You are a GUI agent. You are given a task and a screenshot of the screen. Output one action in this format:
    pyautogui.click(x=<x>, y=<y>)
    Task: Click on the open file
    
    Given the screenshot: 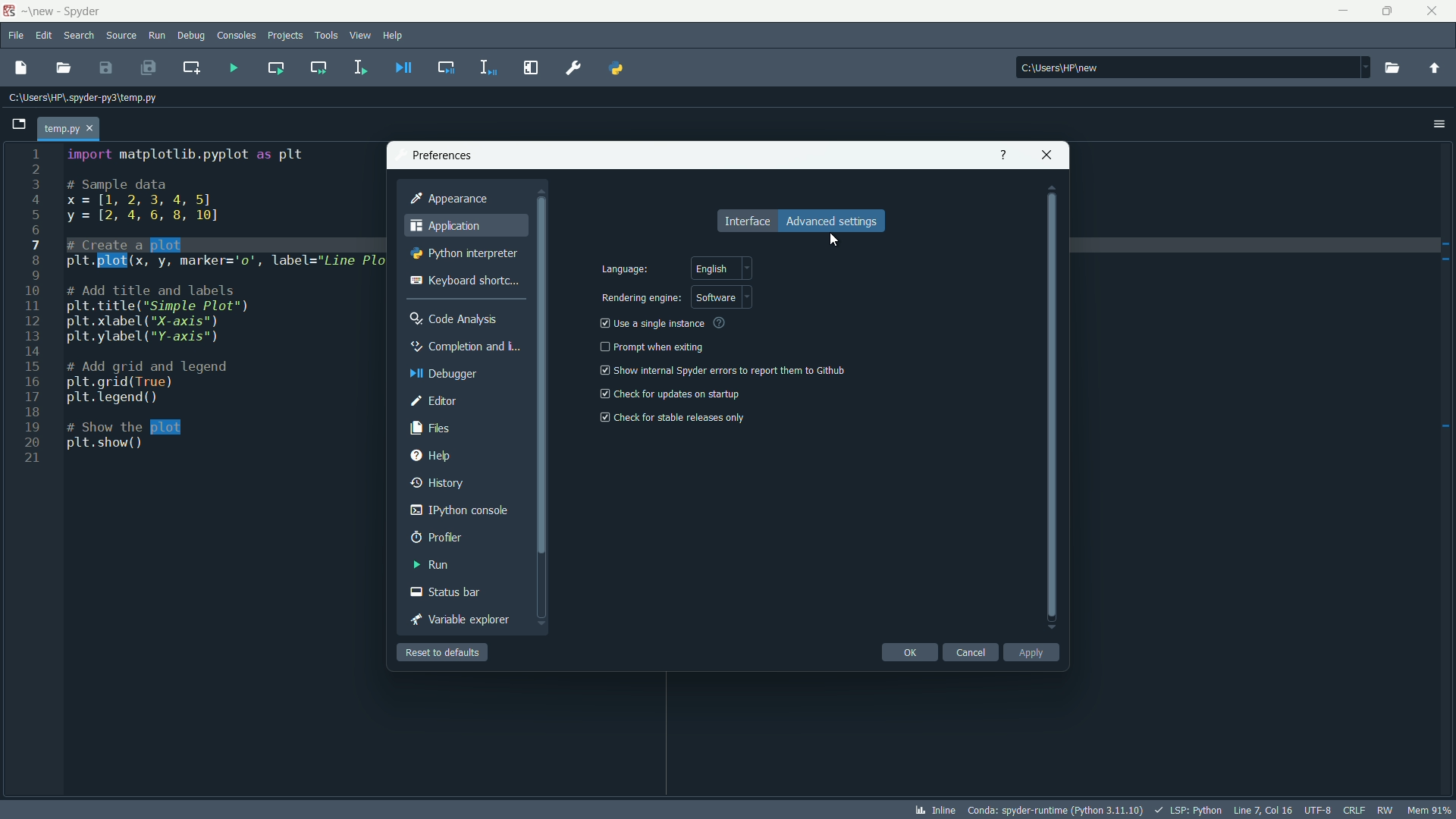 What is the action you would take?
    pyautogui.click(x=62, y=67)
    